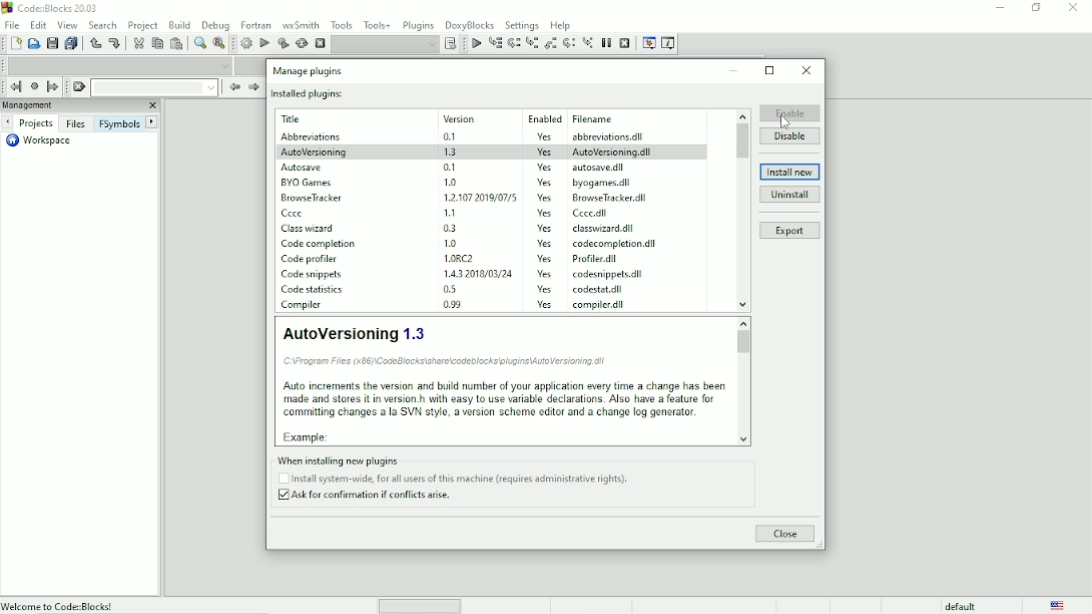  Describe the element at coordinates (599, 290) in the screenshot. I see `file` at that location.